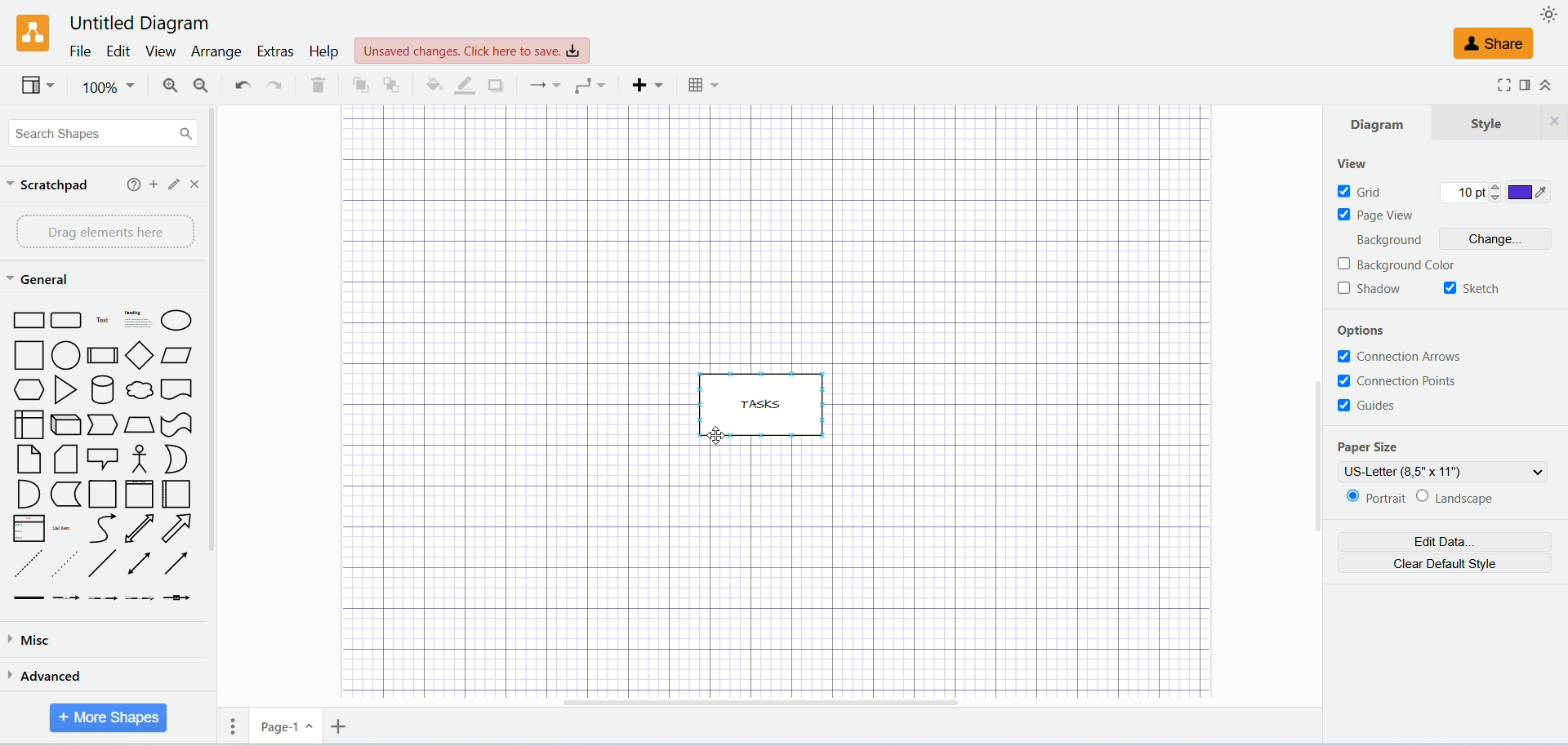  Describe the element at coordinates (137, 460) in the screenshot. I see `Actor` at that location.